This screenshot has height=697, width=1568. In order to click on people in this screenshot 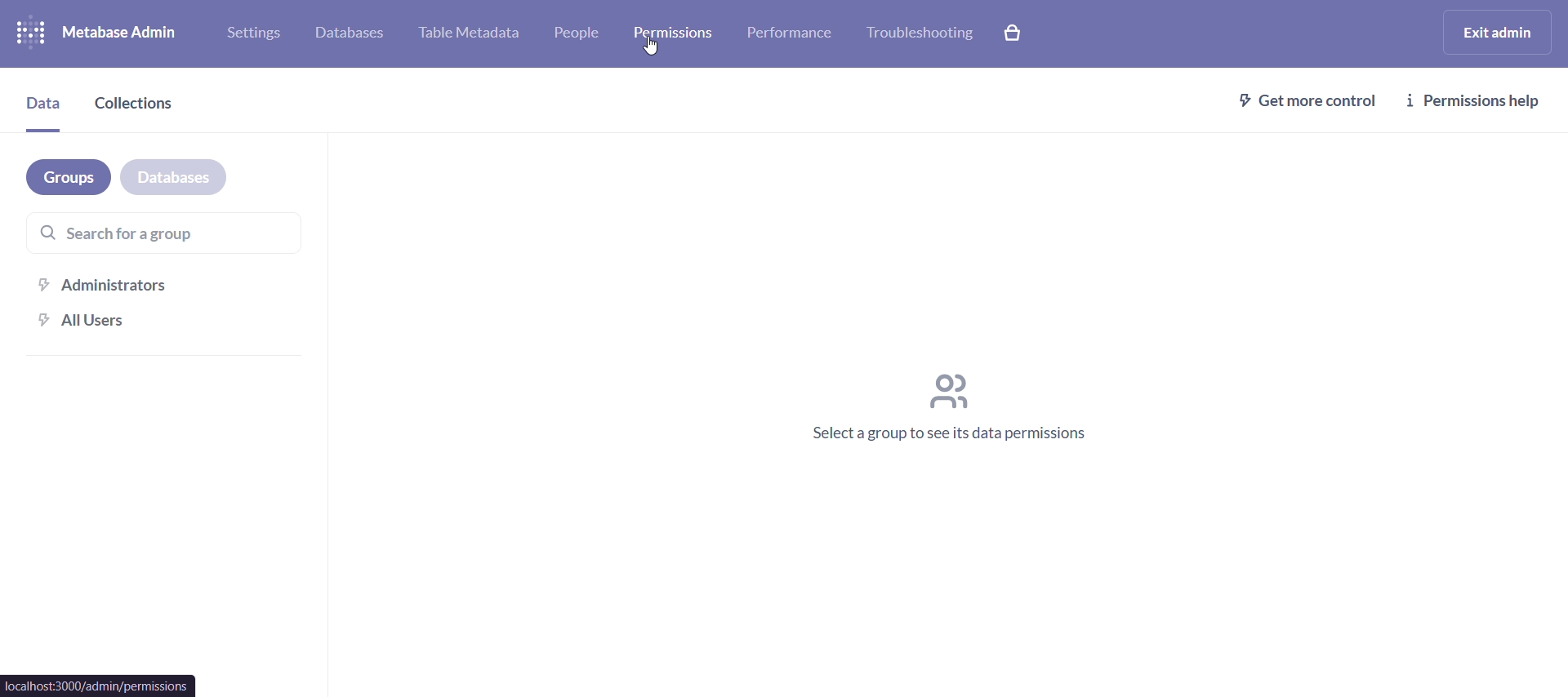, I will do `click(575, 36)`.